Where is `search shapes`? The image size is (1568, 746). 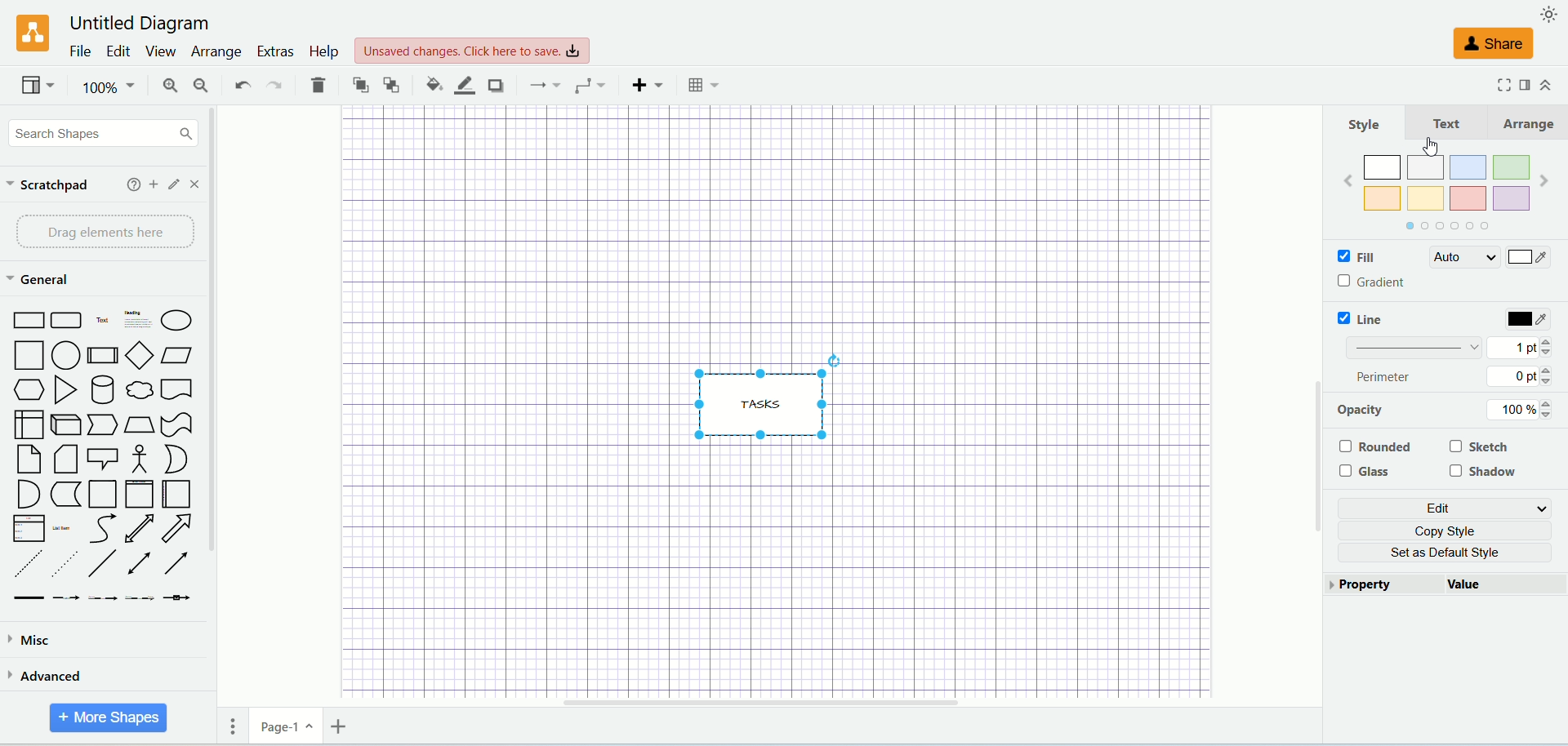 search shapes is located at coordinates (100, 132).